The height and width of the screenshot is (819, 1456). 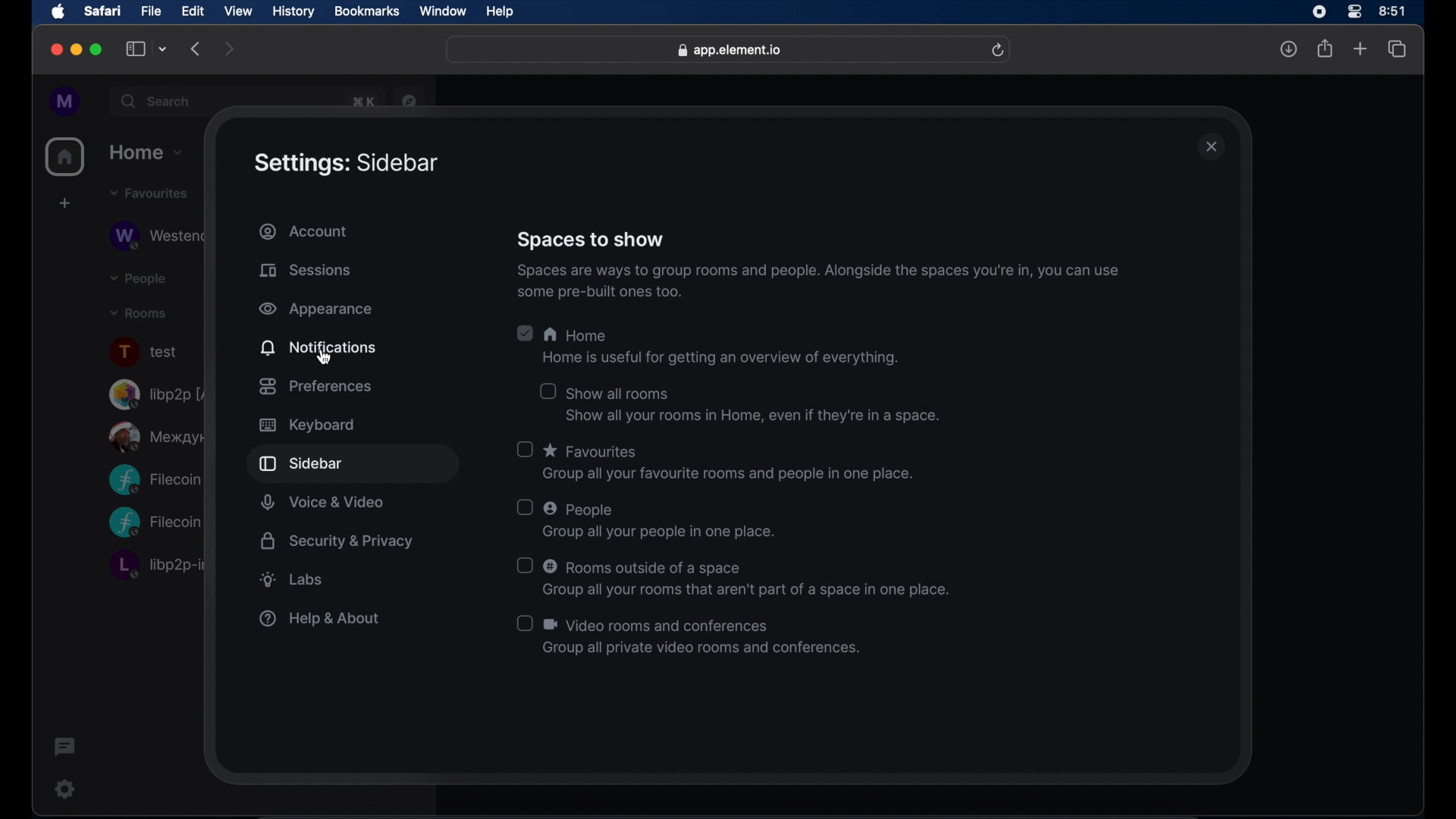 What do you see at coordinates (315, 309) in the screenshot?
I see `appearance` at bounding box center [315, 309].